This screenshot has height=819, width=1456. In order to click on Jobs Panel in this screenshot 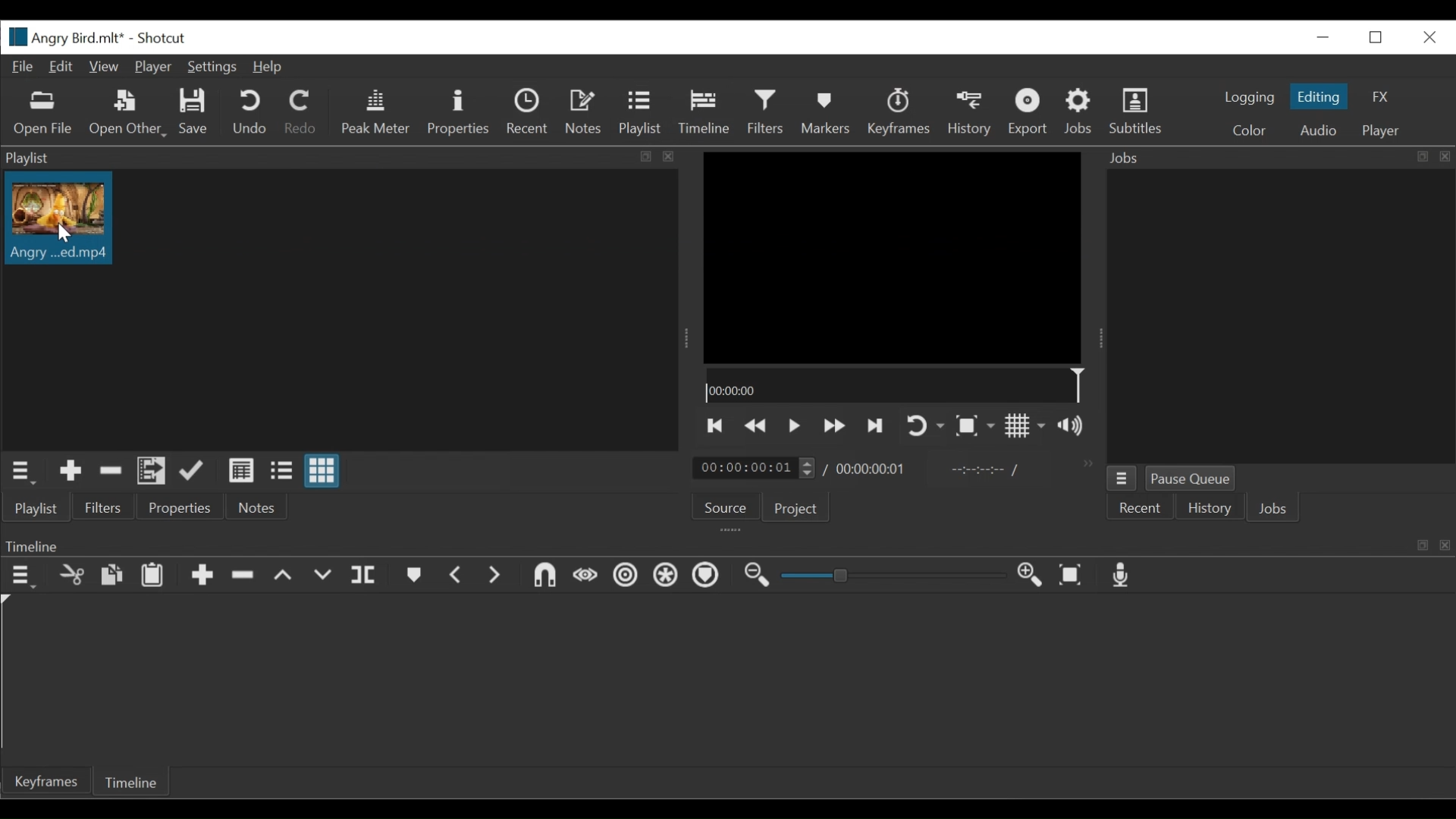, I will do `click(1276, 313)`.